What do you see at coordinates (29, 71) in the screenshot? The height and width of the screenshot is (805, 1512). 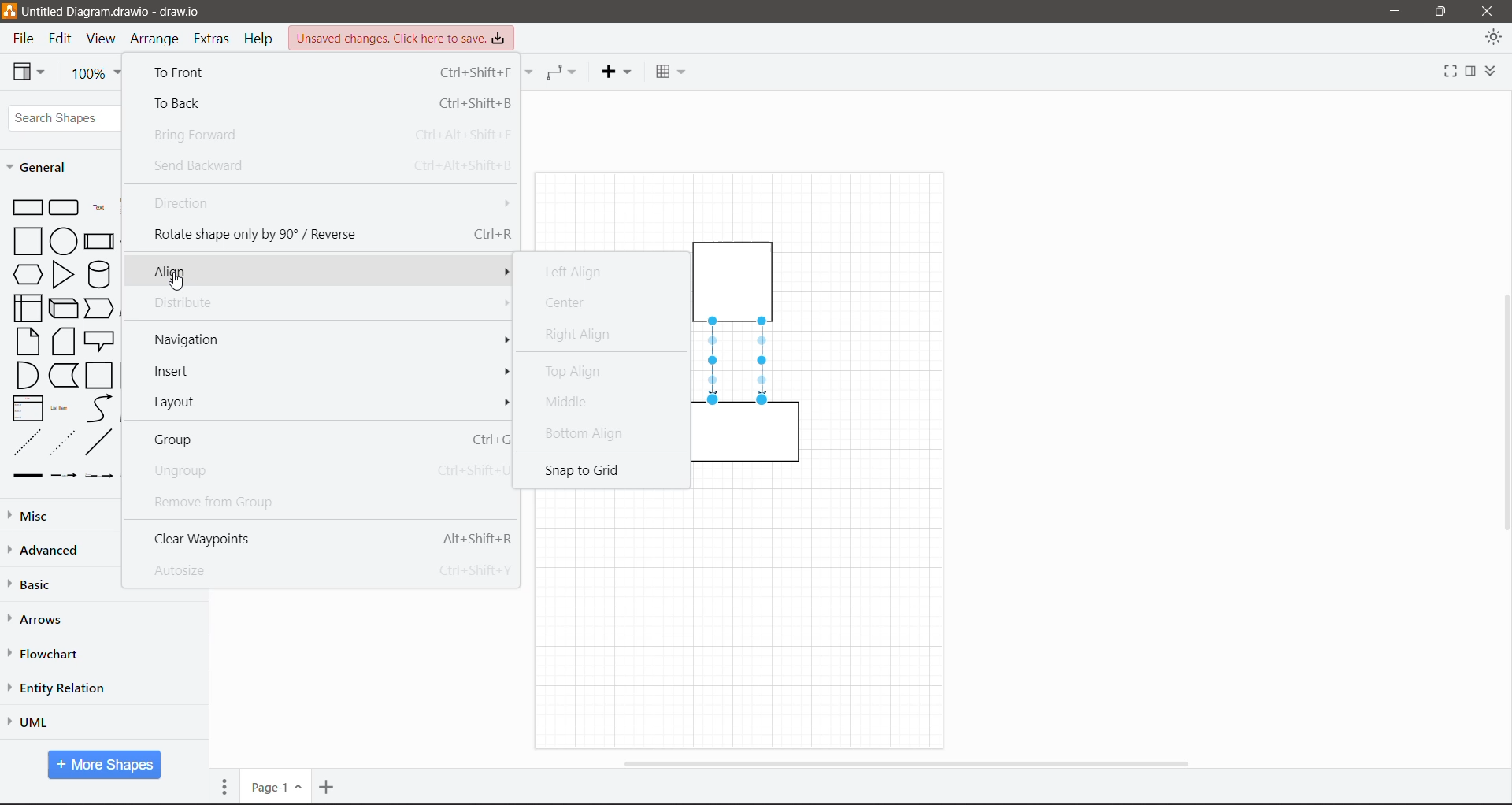 I see `View` at bounding box center [29, 71].